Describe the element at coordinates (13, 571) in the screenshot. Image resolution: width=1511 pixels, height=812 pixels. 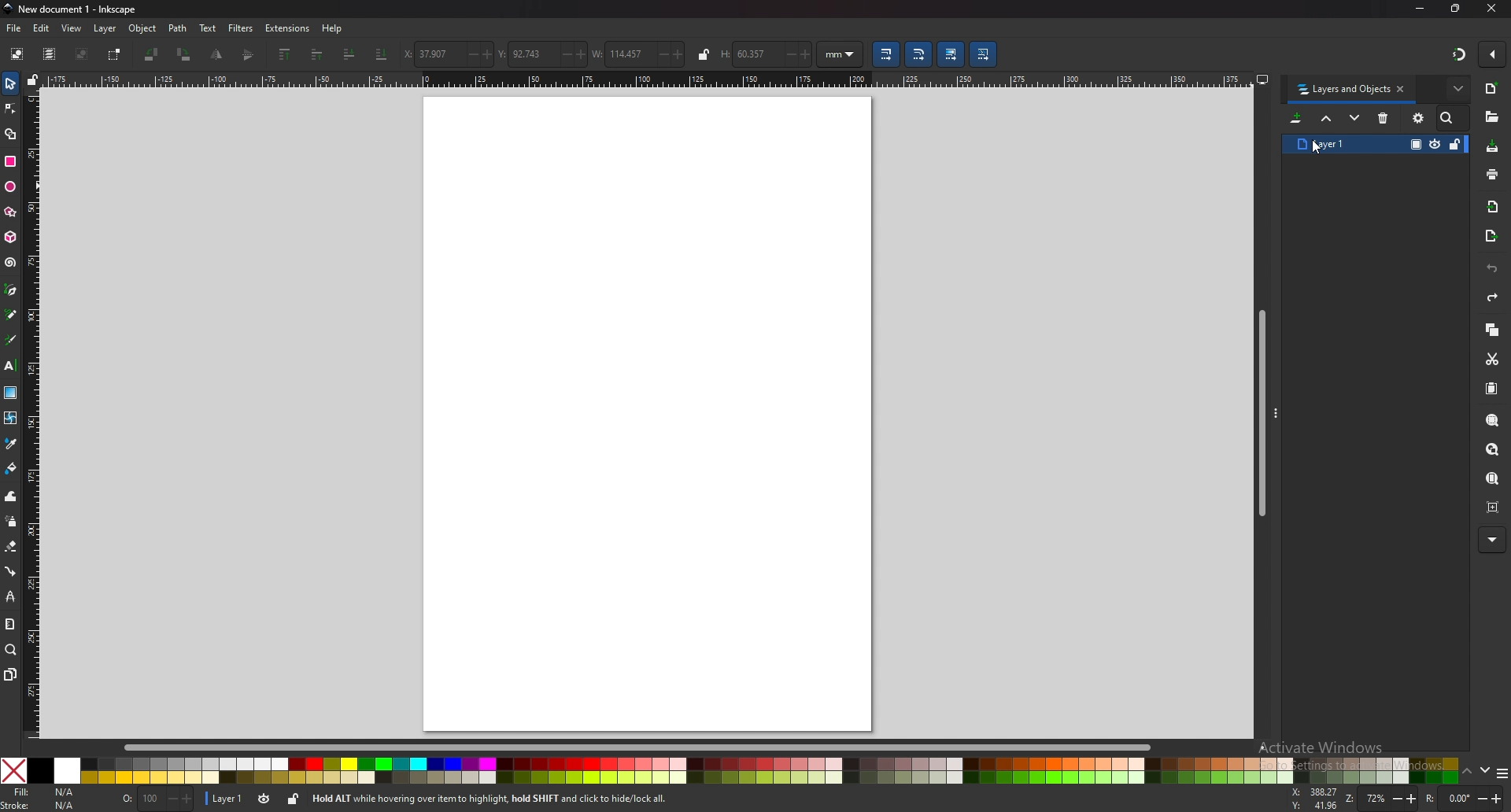
I see `connector` at that location.